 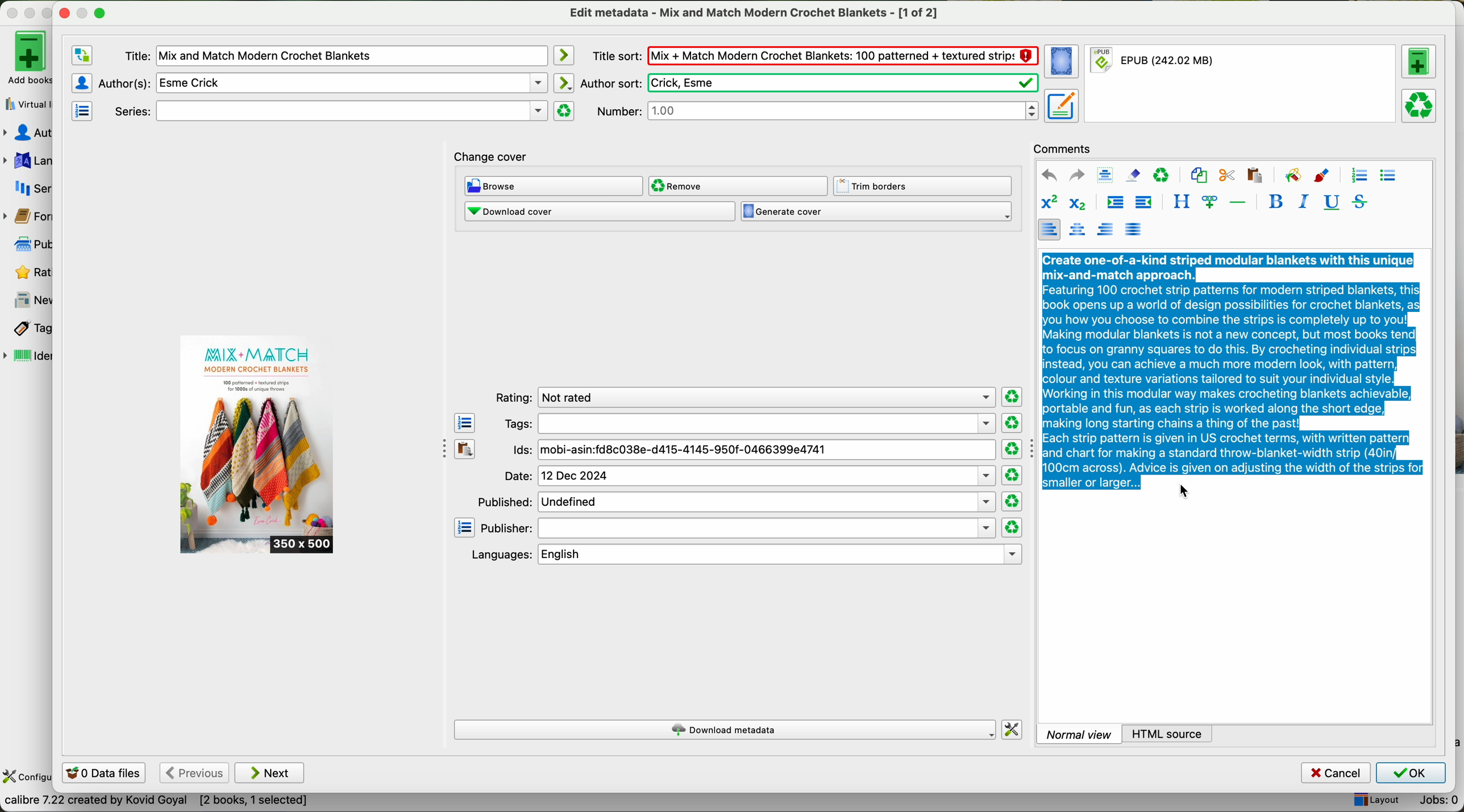 What do you see at coordinates (323, 82) in the screenshot?
I see `author(s)` at bounding box center [323, 82].